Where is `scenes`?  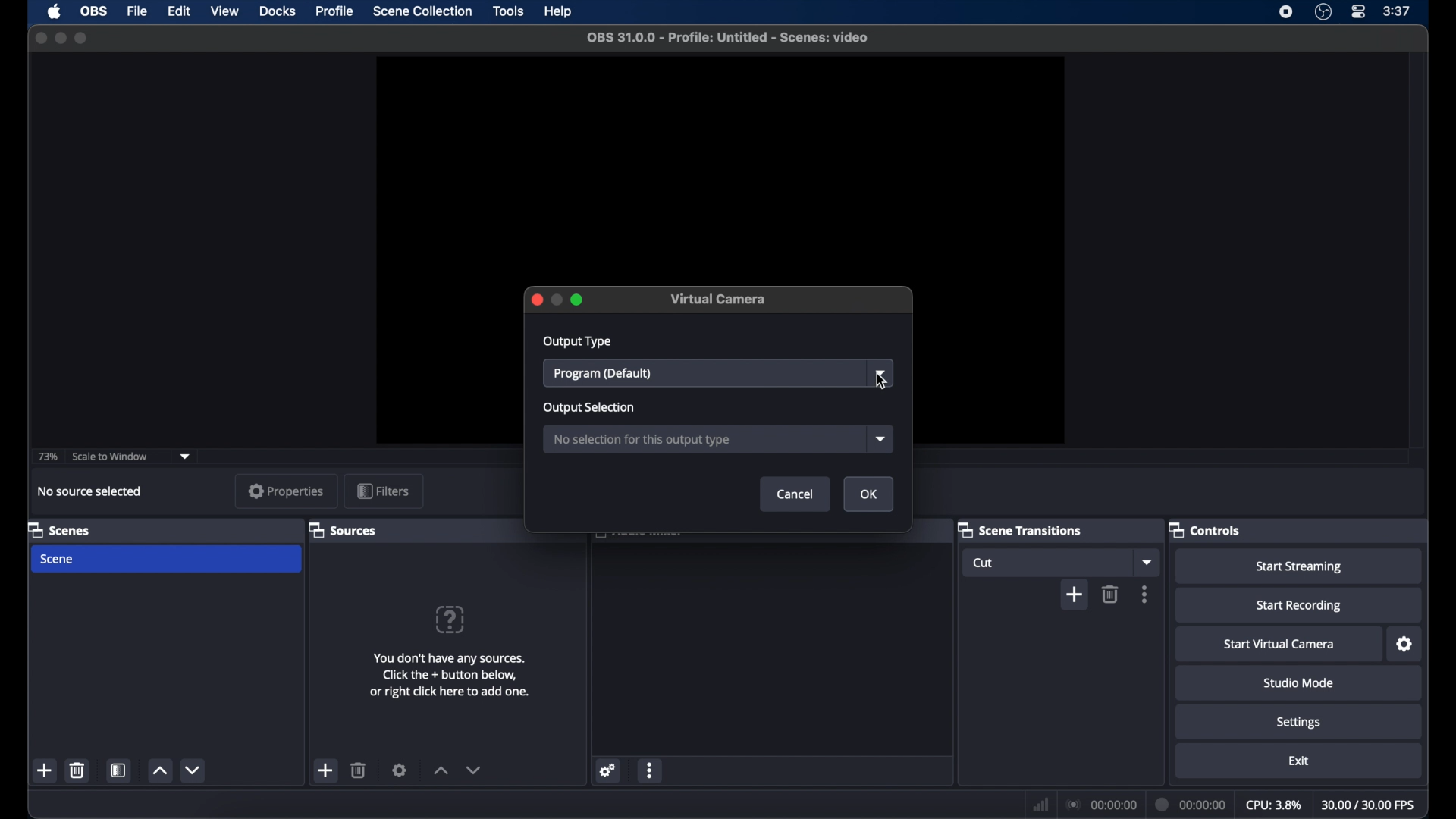 scenes is located at coordinates (58, 529).